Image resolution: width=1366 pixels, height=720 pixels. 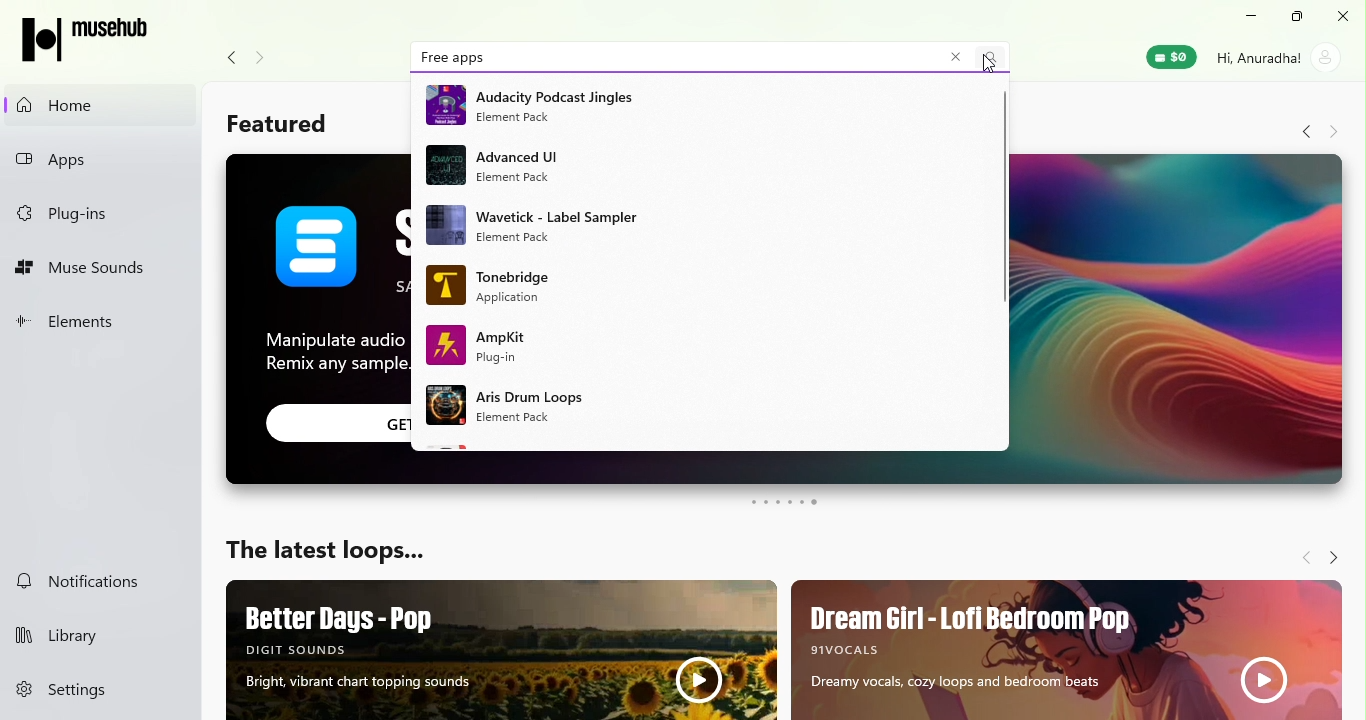 What do you see at coordinates (698, 104) in the screenshot?
I see `Ad` at bounding box center [698, 104].